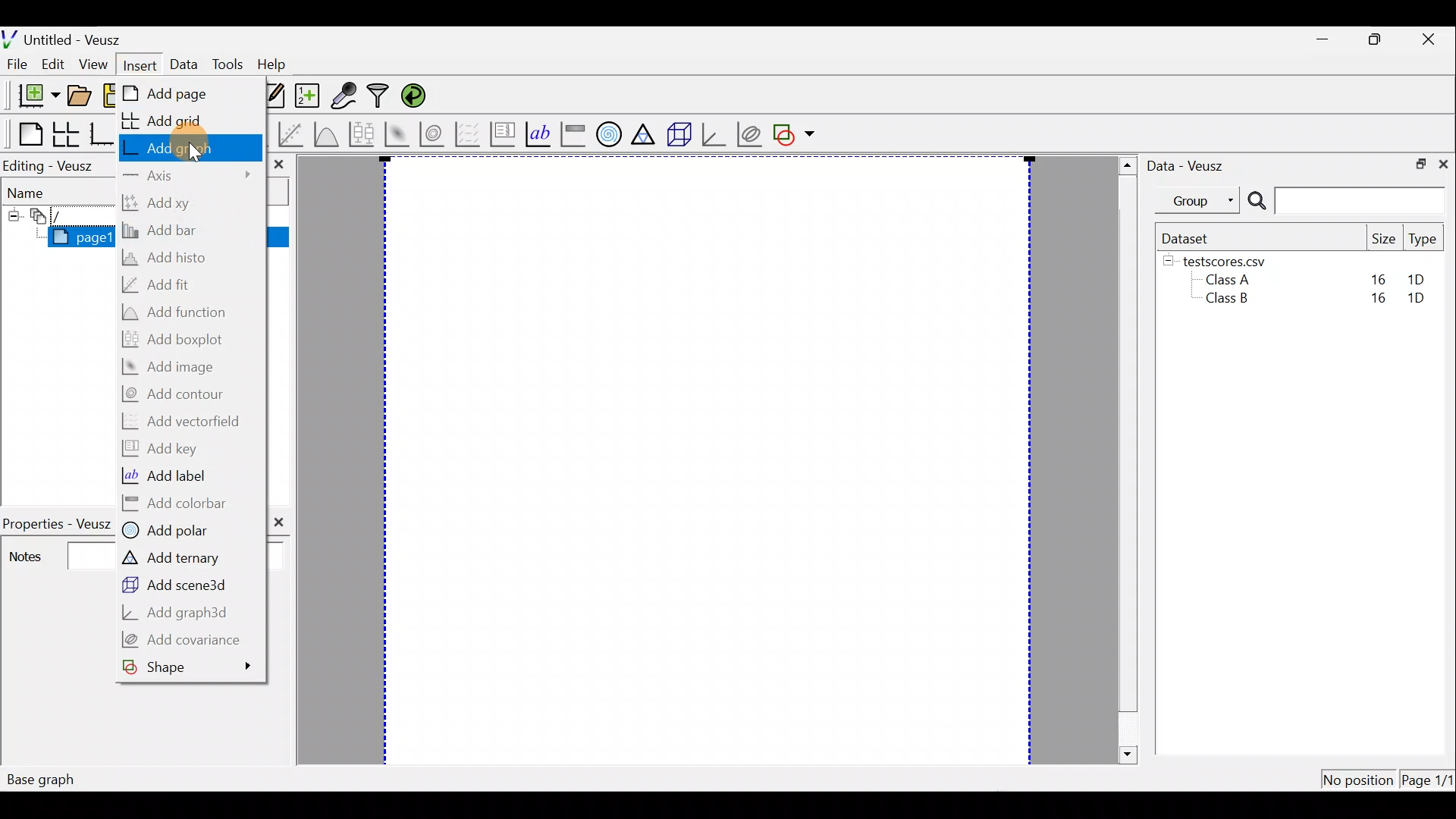 Image resolution: width=1456 pixels, height=819 pixels. Describe the element at coordinates (93, 65) in the screenshot. I see `View` at that location.